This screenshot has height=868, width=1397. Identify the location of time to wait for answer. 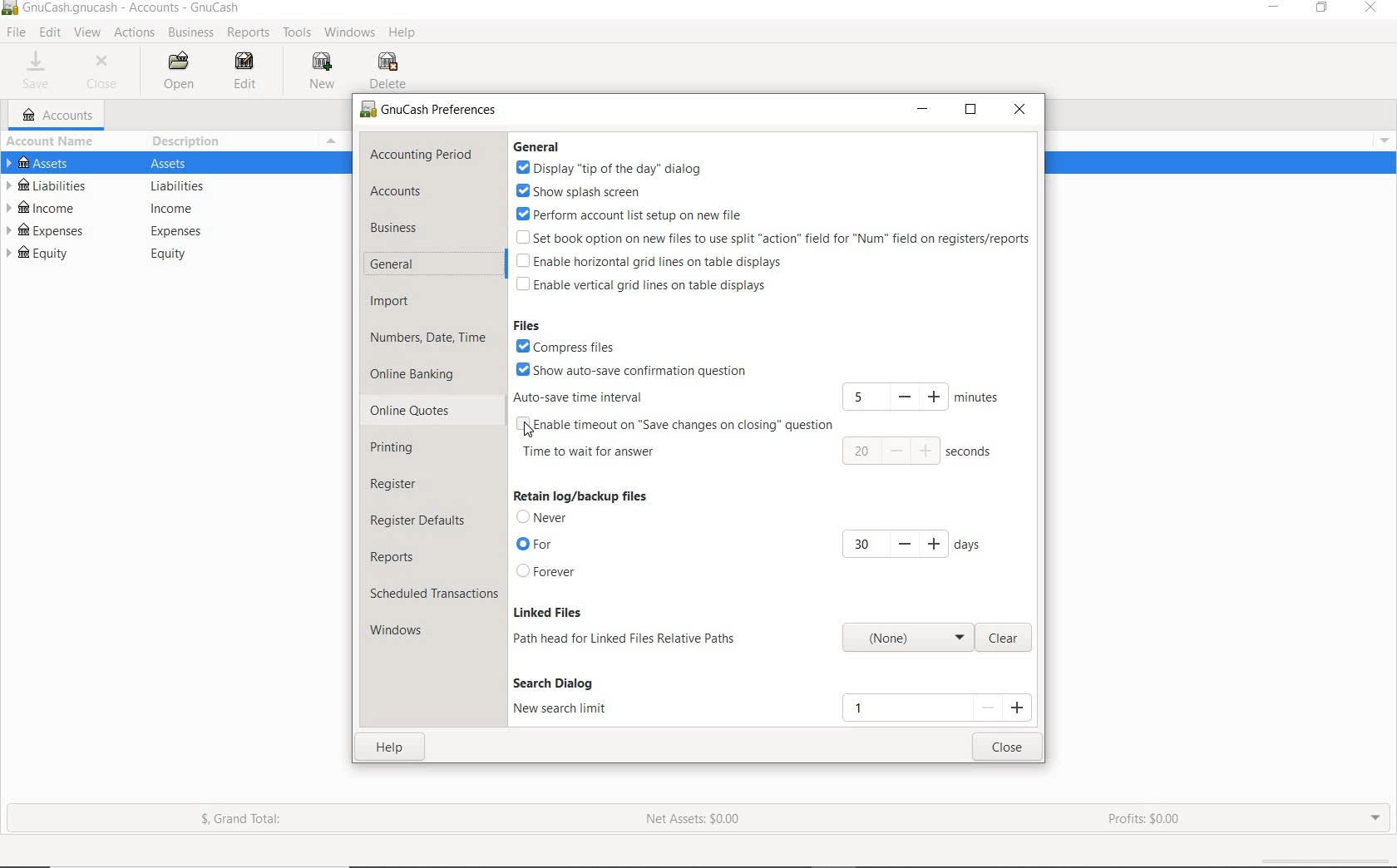
(590, 453).